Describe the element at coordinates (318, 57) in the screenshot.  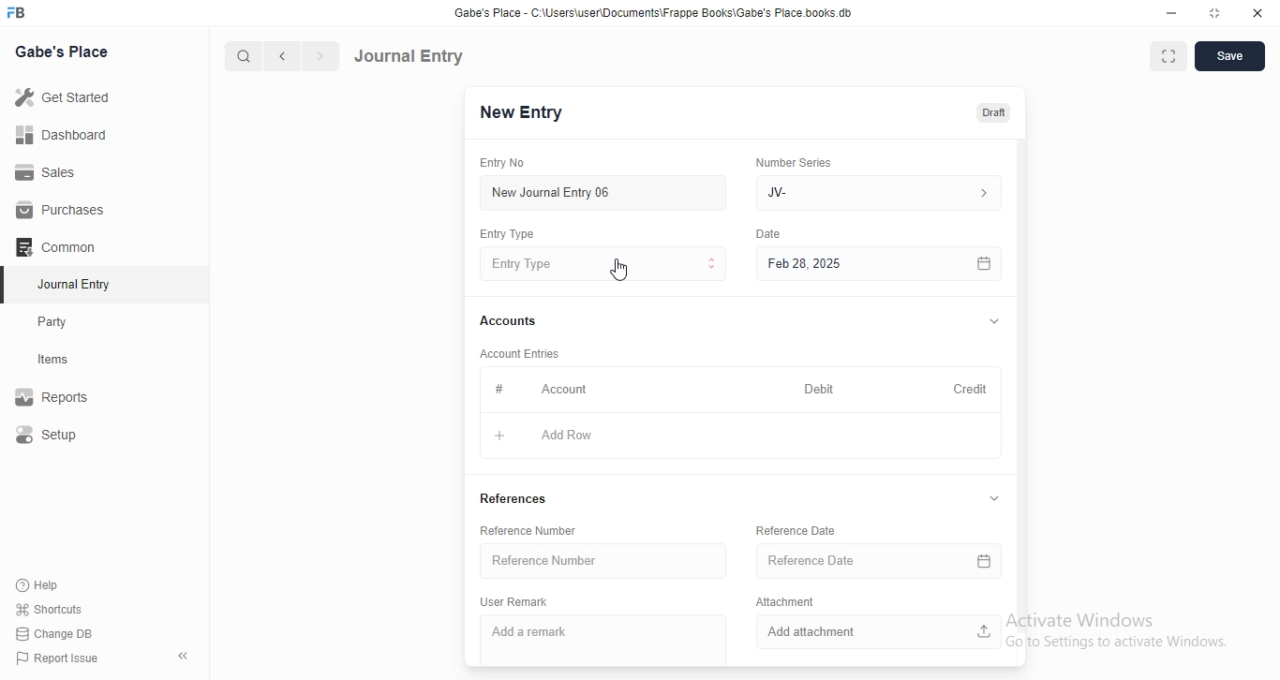
I see `next` at that location.